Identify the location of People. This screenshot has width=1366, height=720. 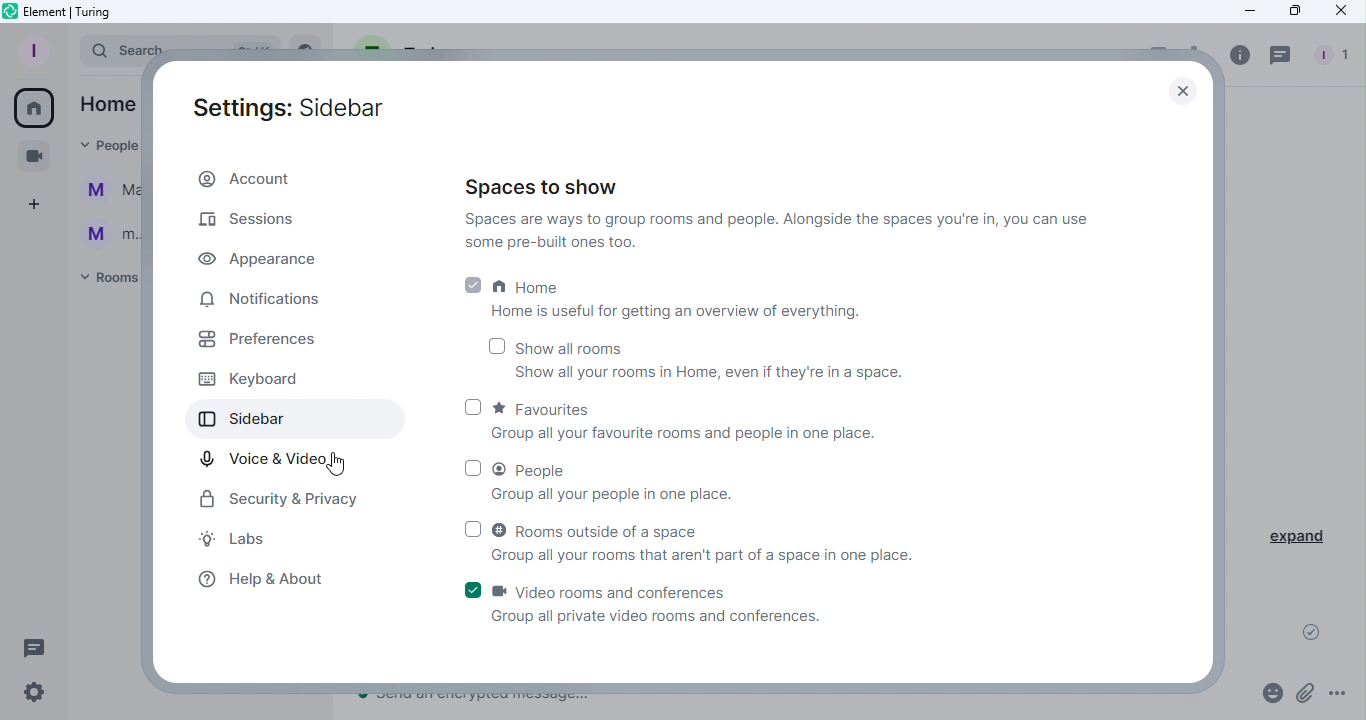
(1335, 56).